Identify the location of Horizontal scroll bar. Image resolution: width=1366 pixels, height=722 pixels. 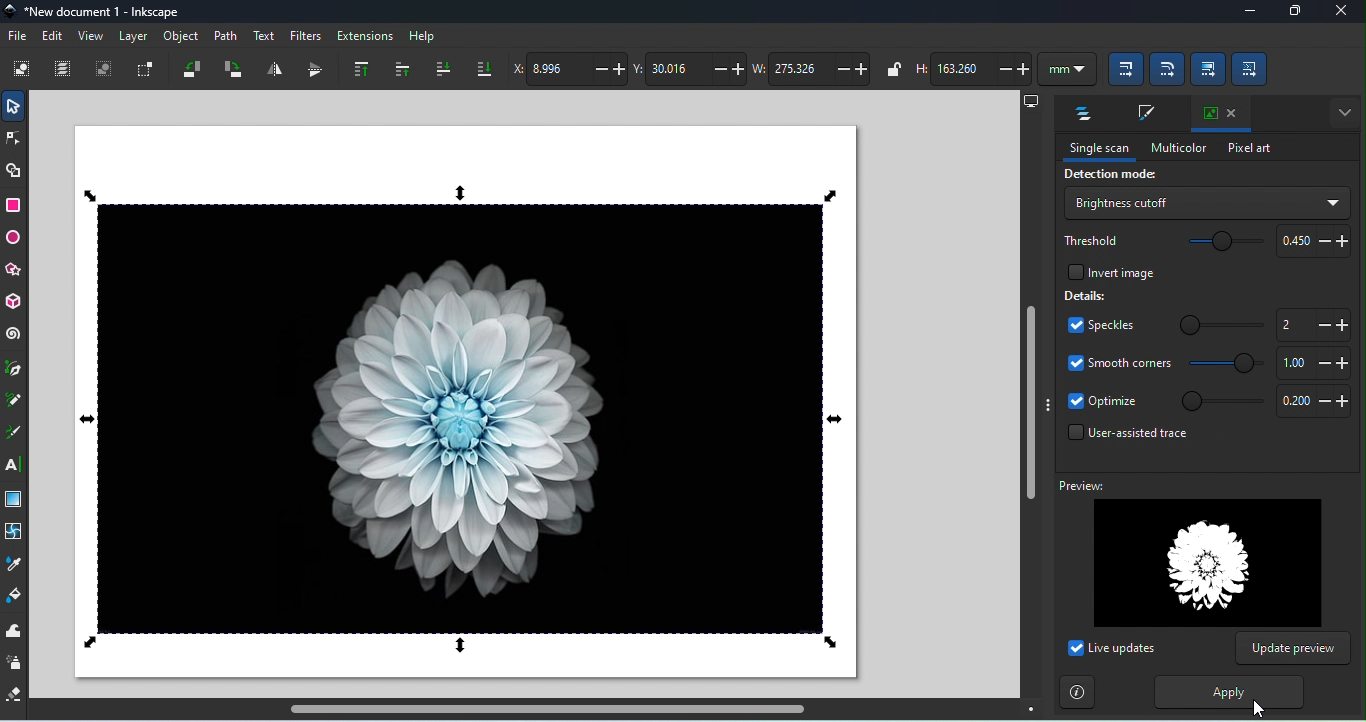
(542, 711).